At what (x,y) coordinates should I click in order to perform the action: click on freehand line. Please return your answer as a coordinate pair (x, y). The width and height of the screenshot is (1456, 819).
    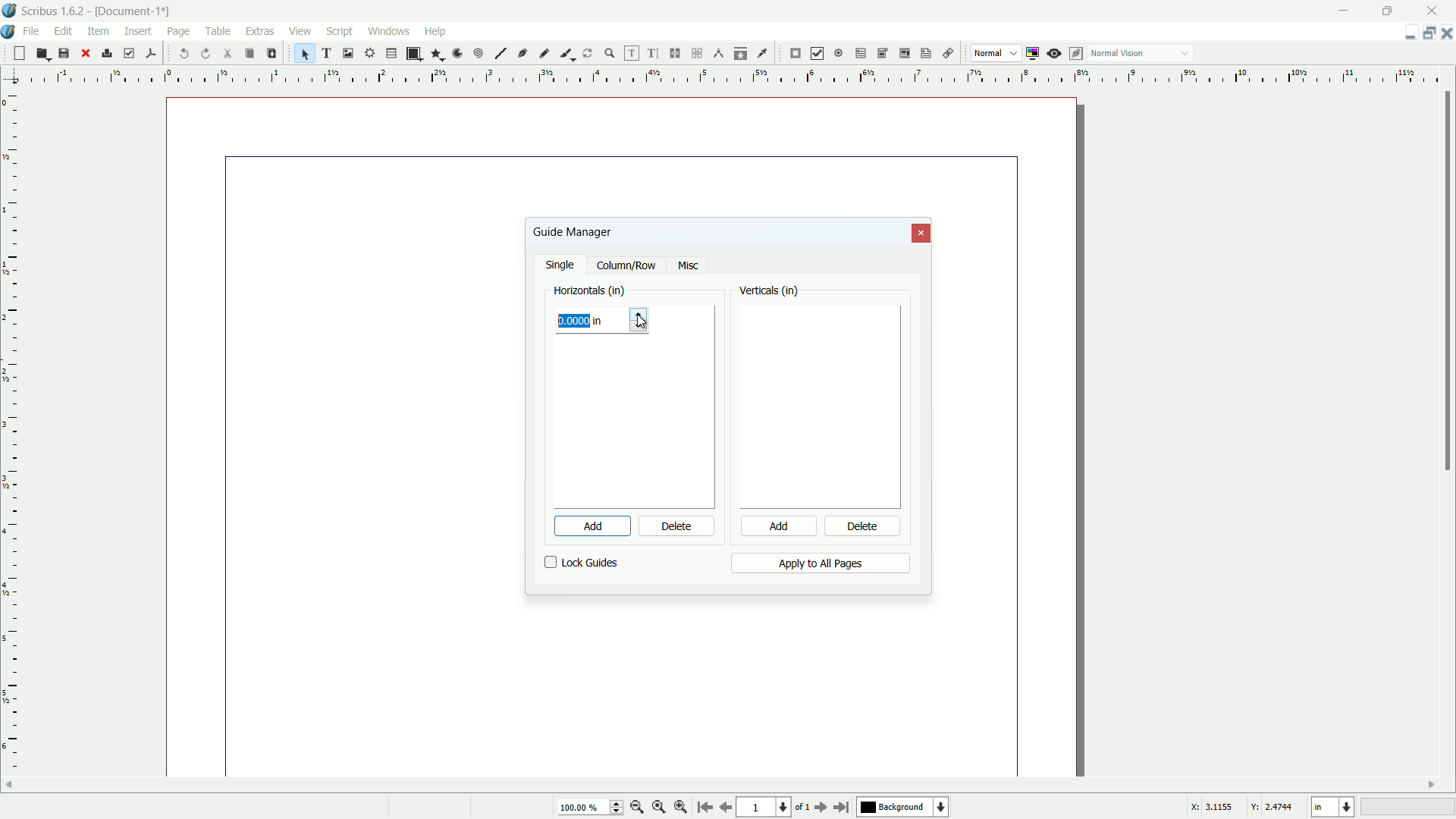
    Looking at the image, I should click on (545, 53).